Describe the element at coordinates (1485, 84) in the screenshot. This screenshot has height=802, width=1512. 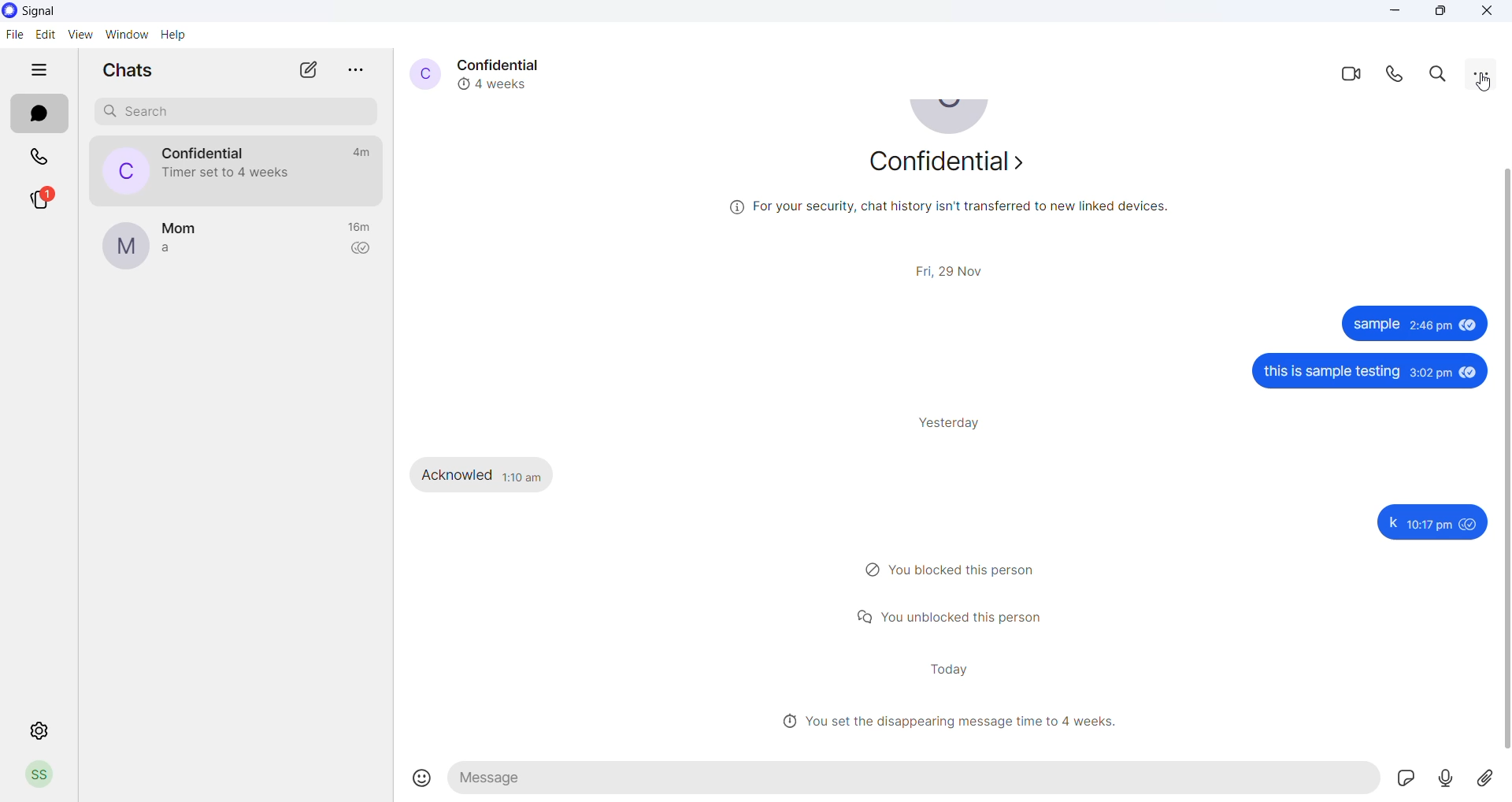
I see `cursor` at that location.